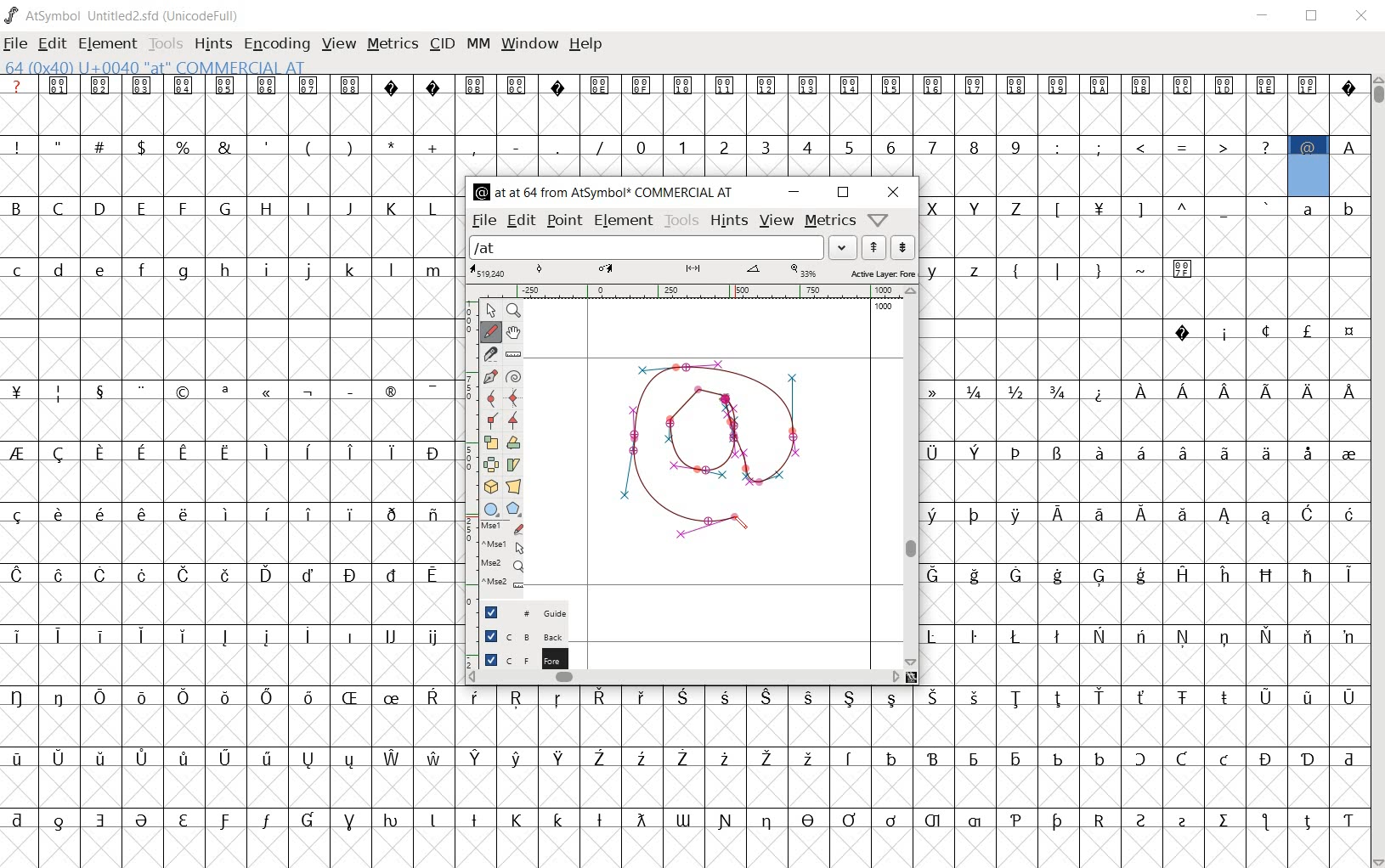  I want to click on CLOSE, so click(1363, 18).